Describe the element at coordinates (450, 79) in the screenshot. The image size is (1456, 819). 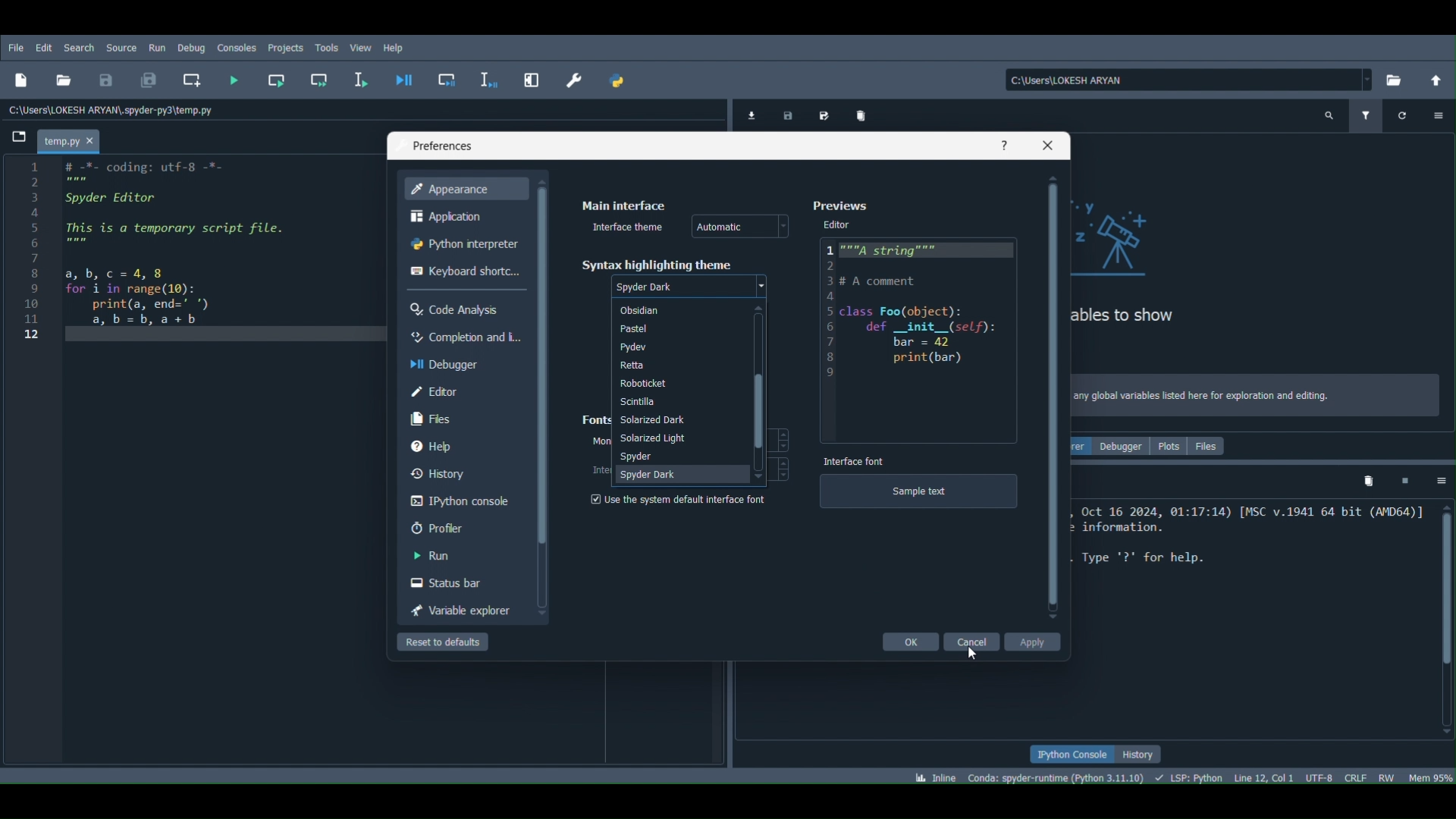
I see `Debug cell` at that location.